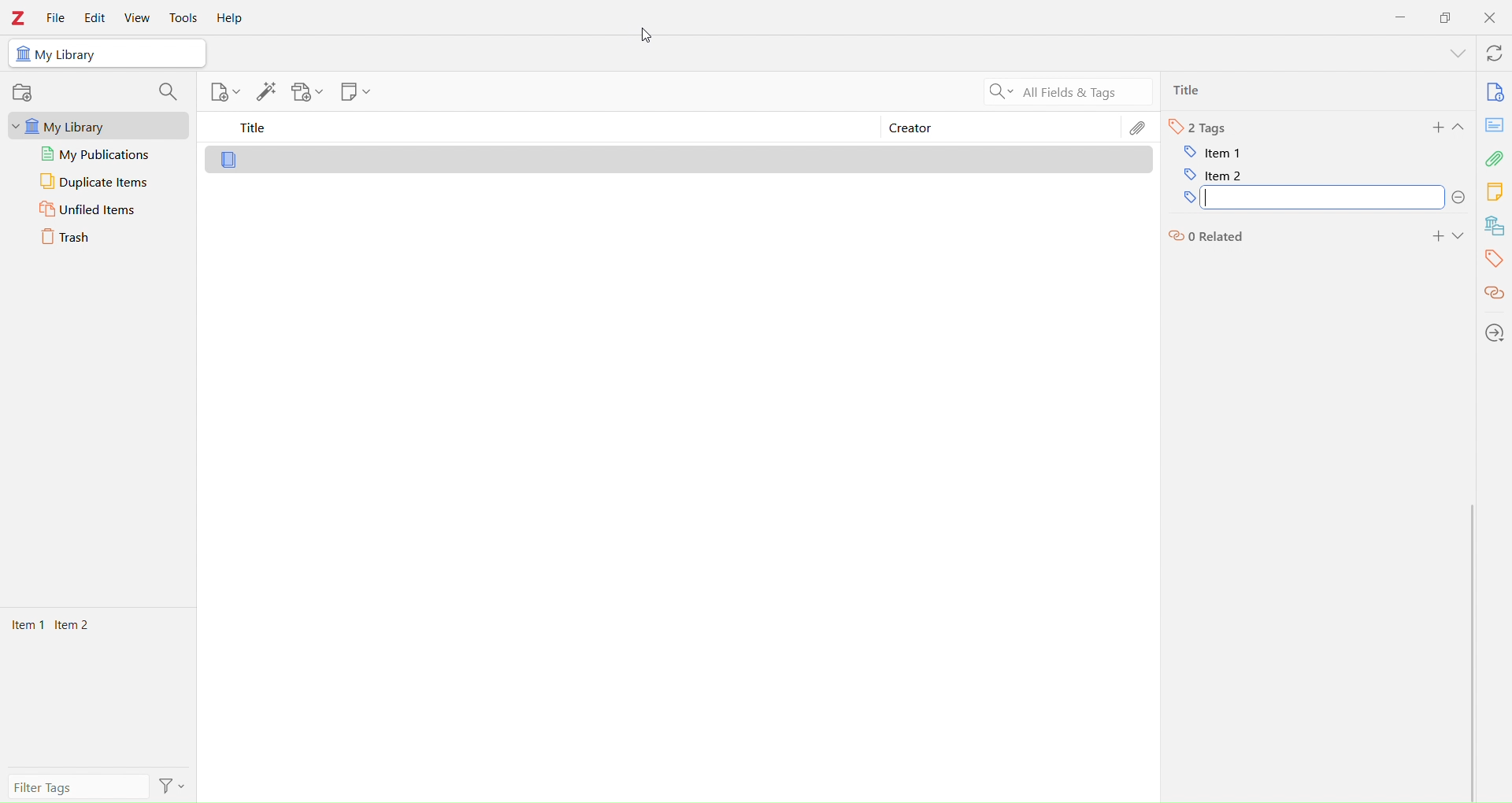 The image size is (1512, 803). I want to click on , so click(1406, 17).